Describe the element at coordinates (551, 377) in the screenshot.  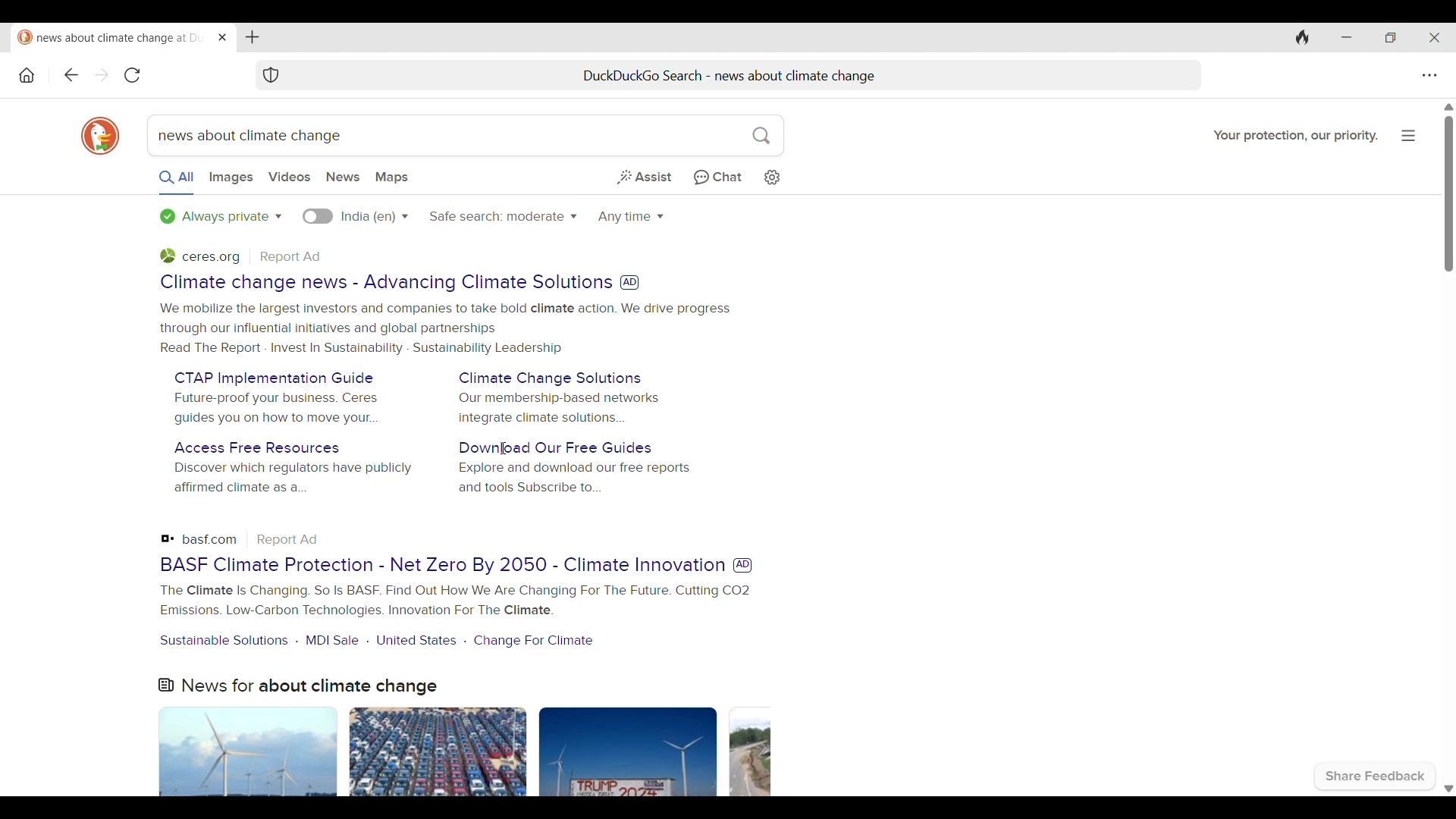
I see `Climate change solutions` at that location.